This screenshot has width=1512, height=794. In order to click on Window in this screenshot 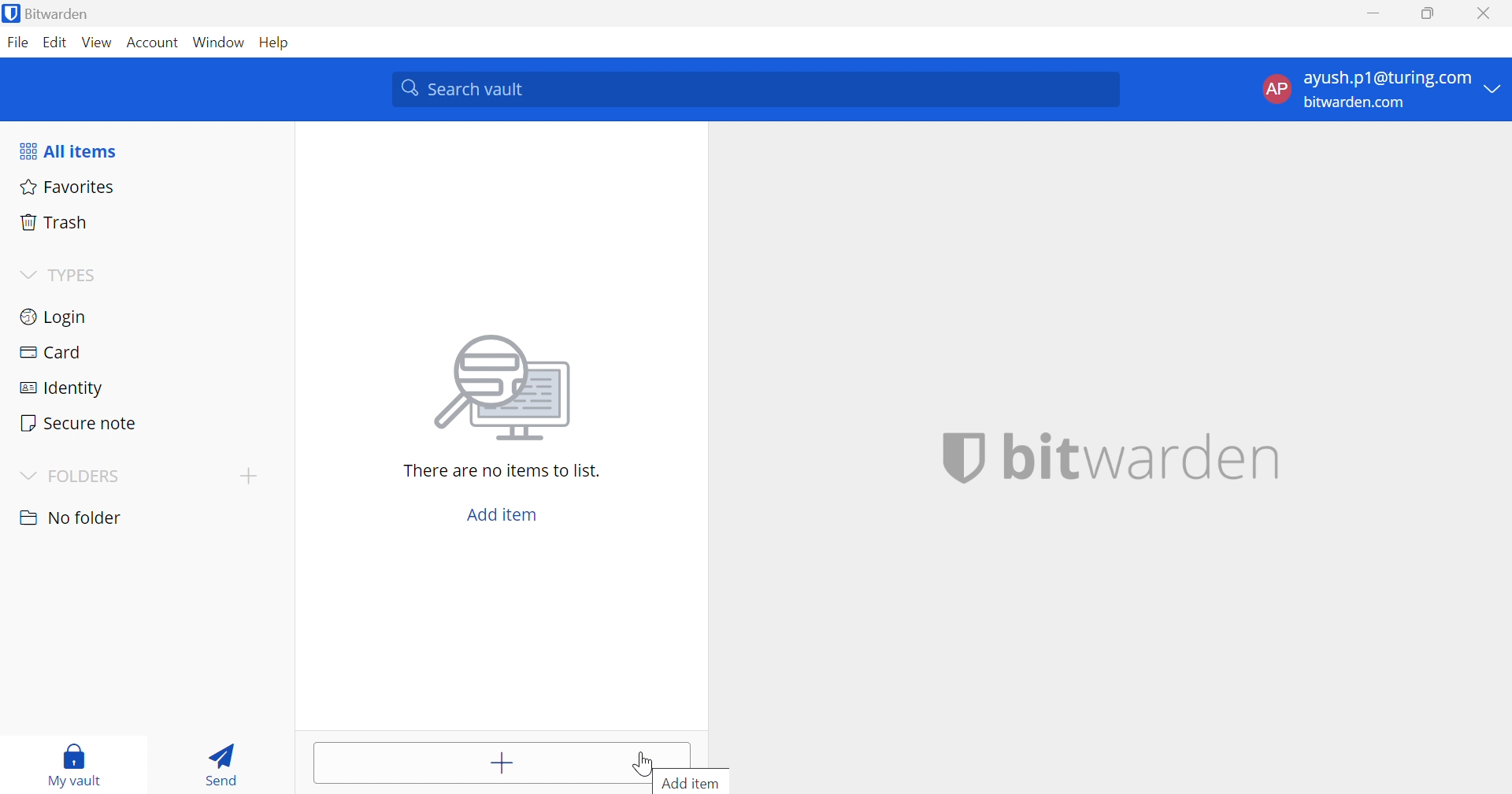, I will do `click(218, 40)`.